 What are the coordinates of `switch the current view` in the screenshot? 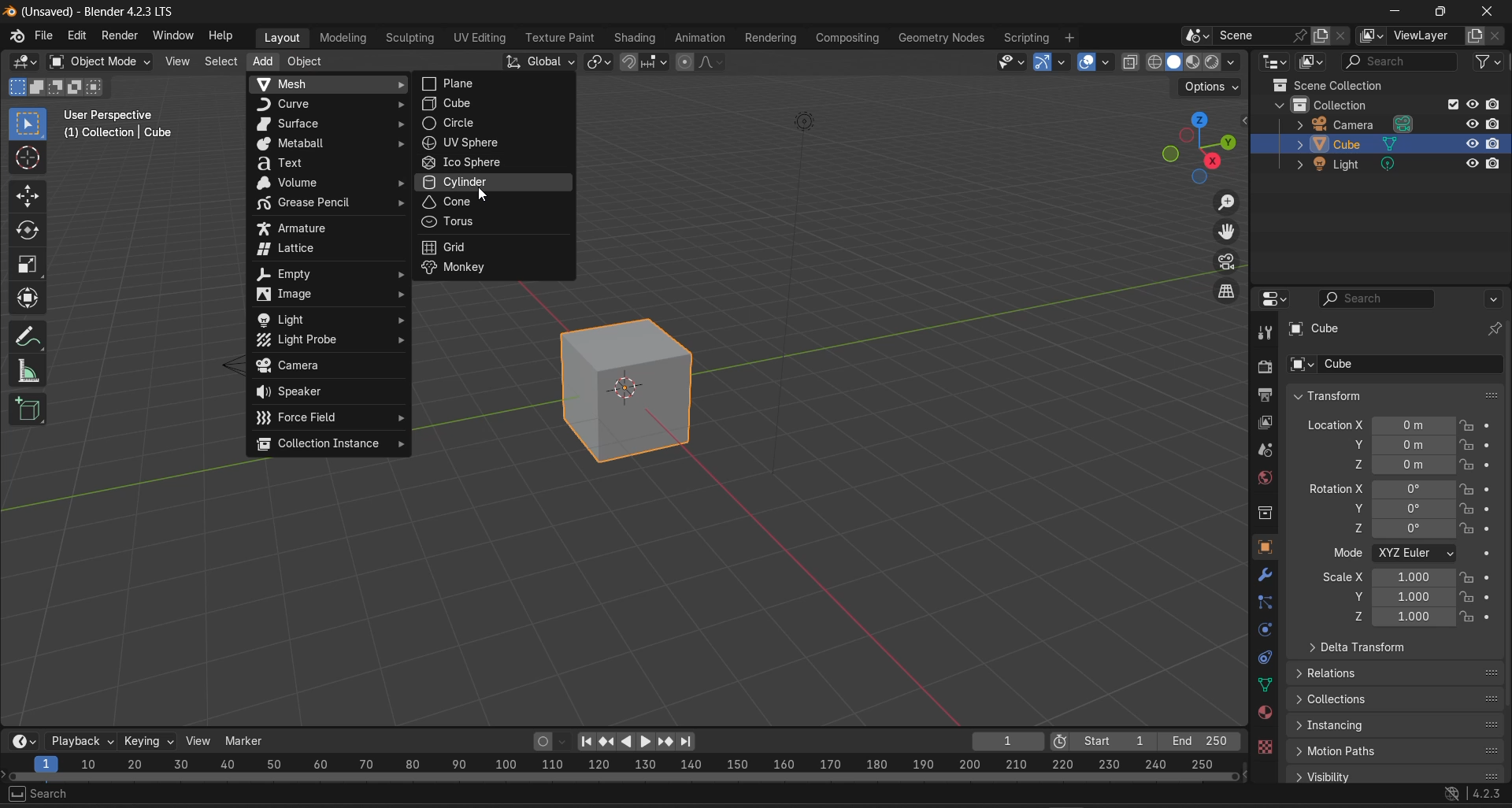 It's located at (1224, 291).